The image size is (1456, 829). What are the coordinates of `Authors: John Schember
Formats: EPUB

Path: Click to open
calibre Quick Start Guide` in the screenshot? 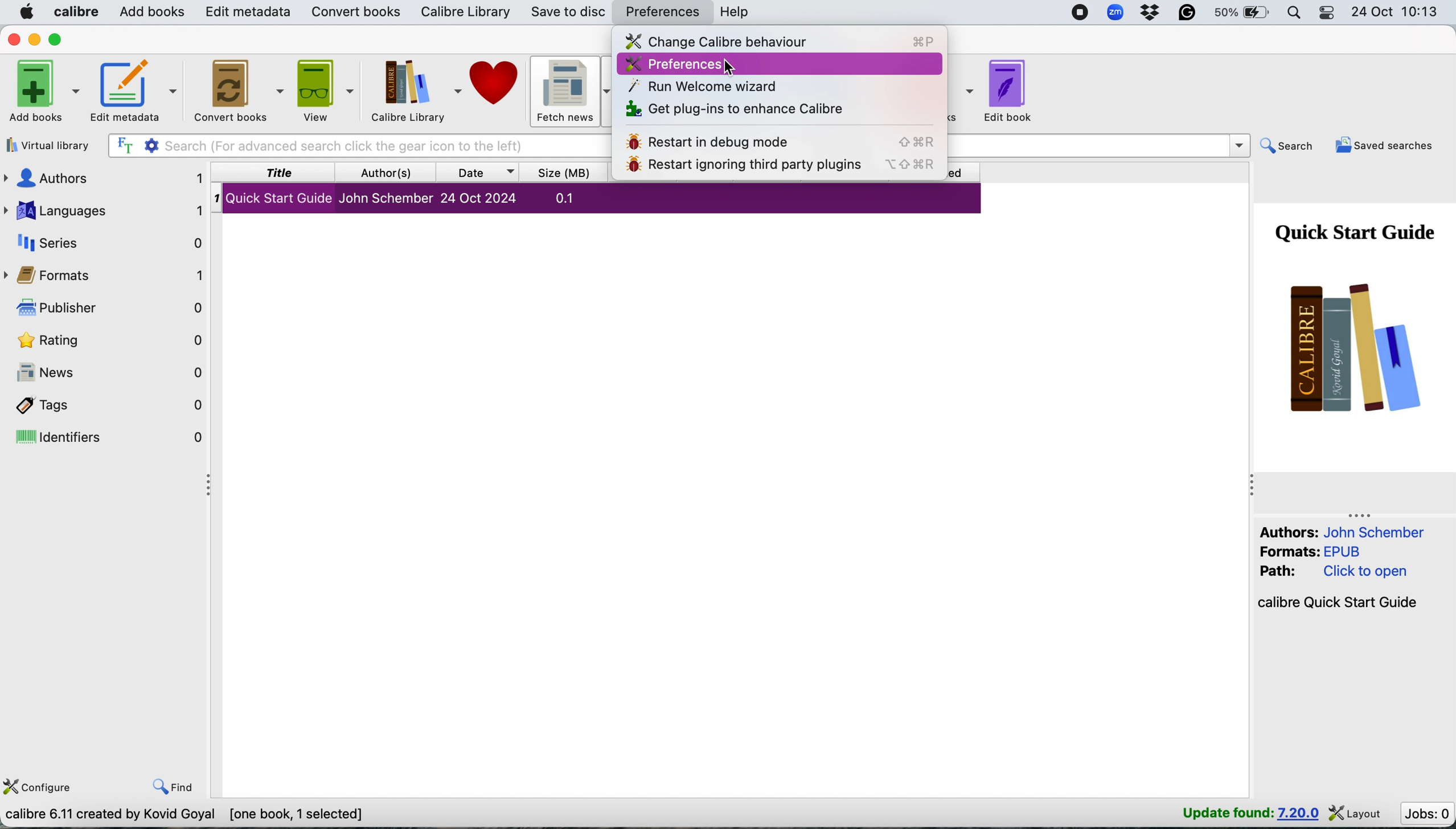 It's located at (1340, 569).